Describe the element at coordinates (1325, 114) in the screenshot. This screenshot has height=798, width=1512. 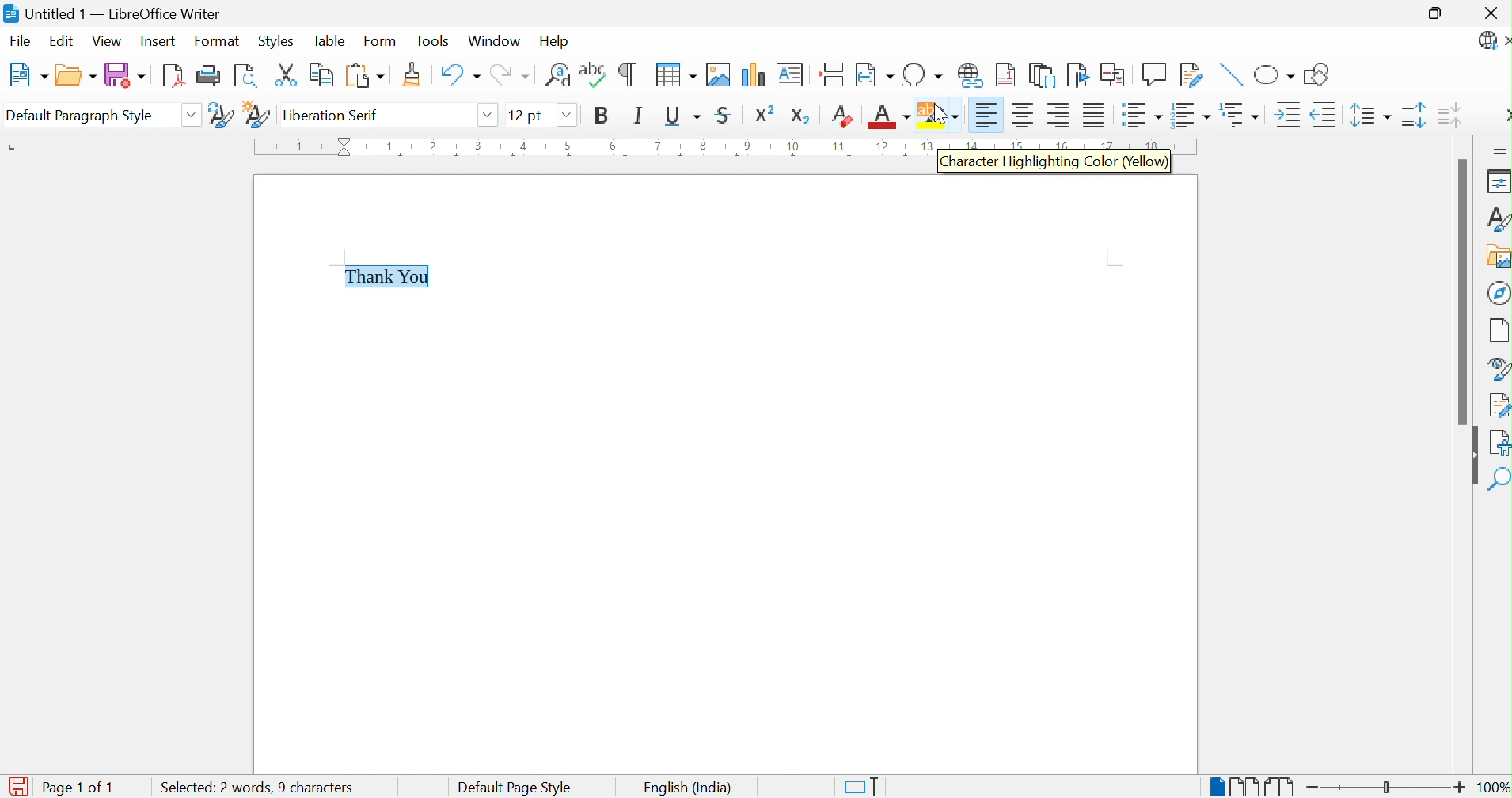
I see `Decrease Indent` at that location.